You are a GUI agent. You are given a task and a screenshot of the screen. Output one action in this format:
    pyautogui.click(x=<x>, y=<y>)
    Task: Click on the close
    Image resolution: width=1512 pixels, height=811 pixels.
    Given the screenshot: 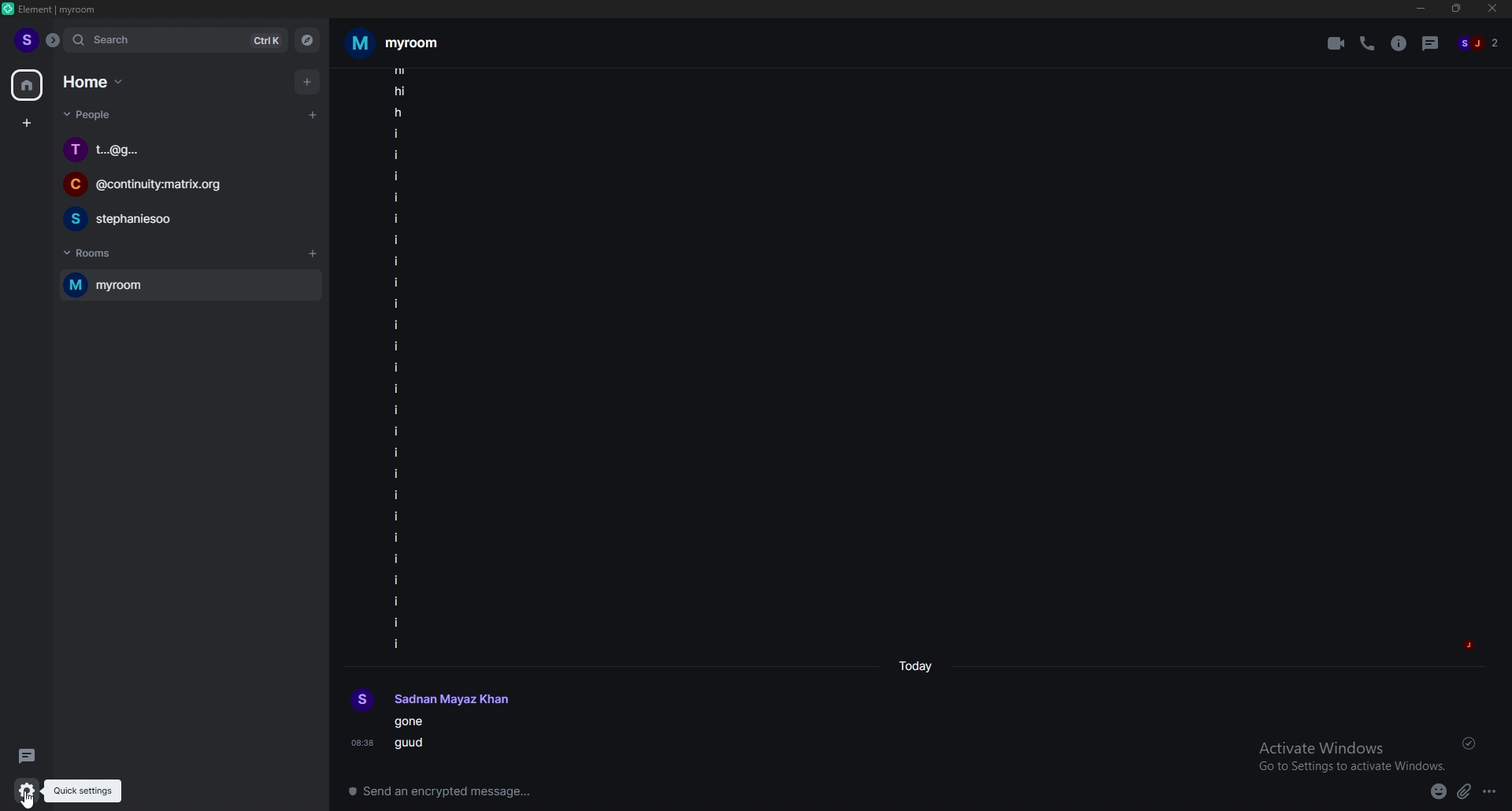 What is the action you would take?
    pyautogui.click(x=1493, y=12)
    